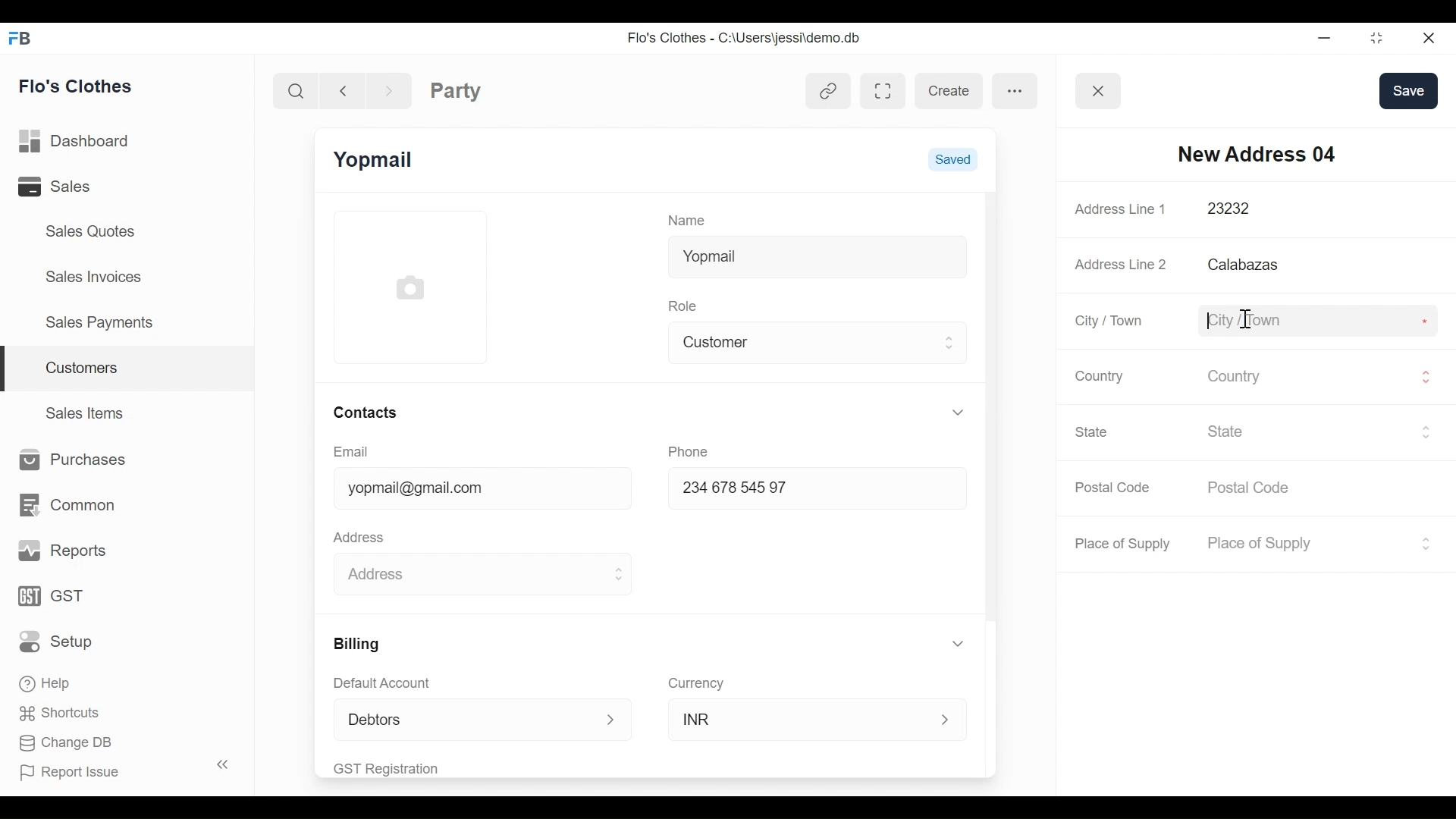 The image size is (1456, 819). What do you see at coordinates (828, 93) in the screenshot?
I see `View linked entries` at bounding box center [828, 93].